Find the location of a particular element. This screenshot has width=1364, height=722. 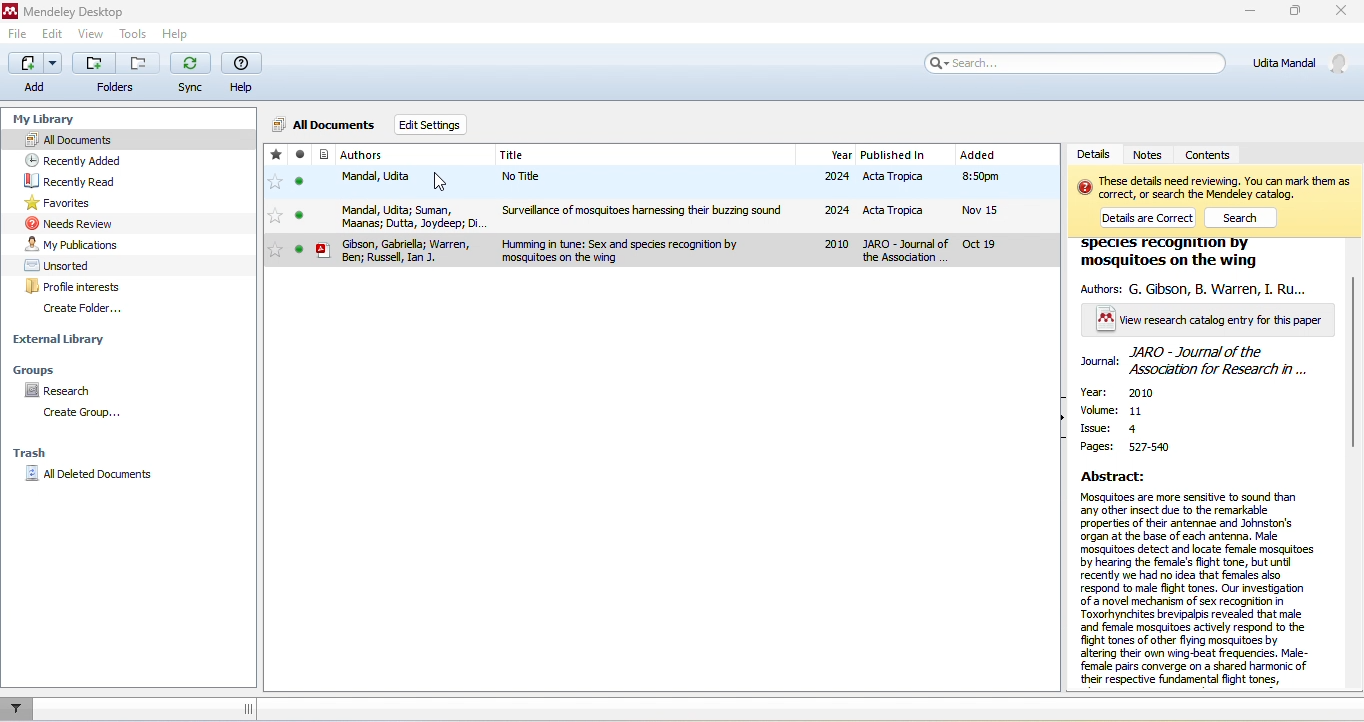

minimize is located at coordinates (1253, 13).